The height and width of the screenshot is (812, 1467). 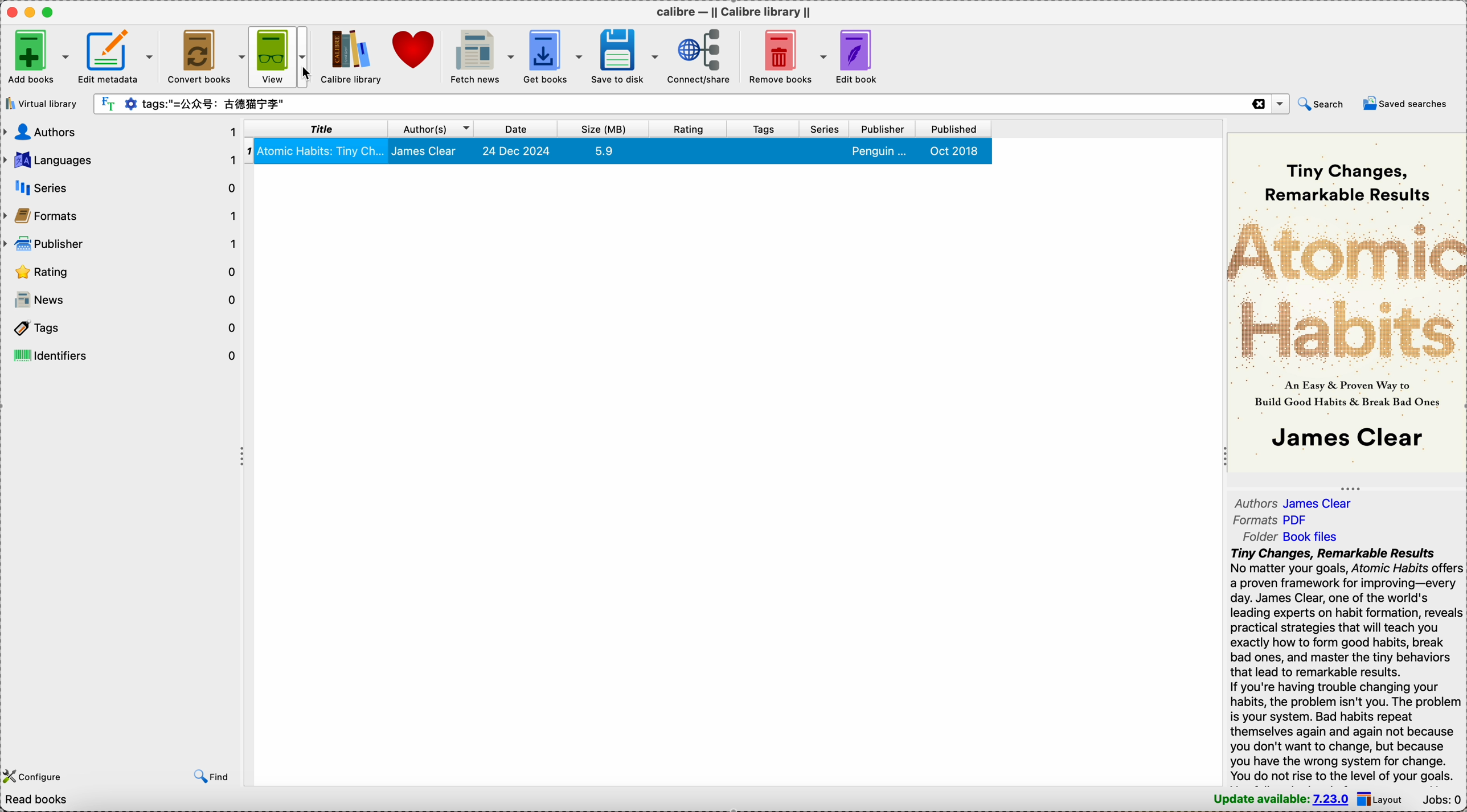 I want to click on saved searches, so click(x=1408, y=102).